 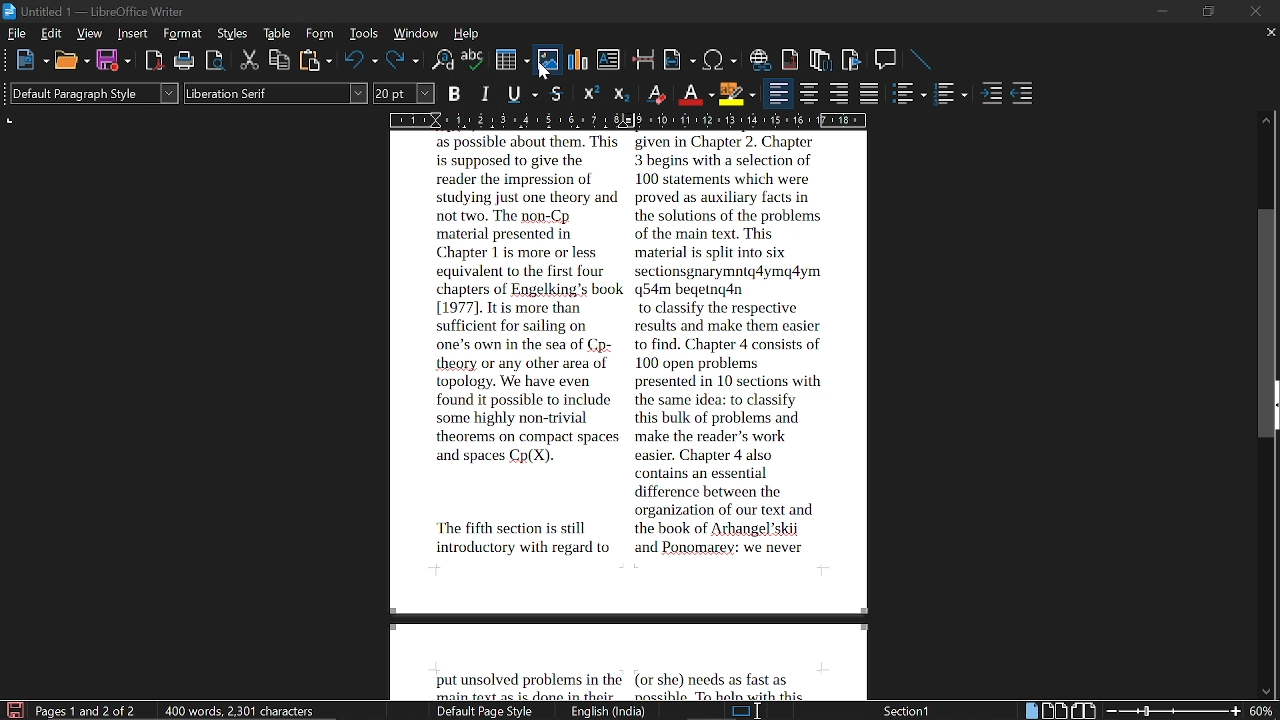 I want to click on paragraph style, so click(x=90, y=93).